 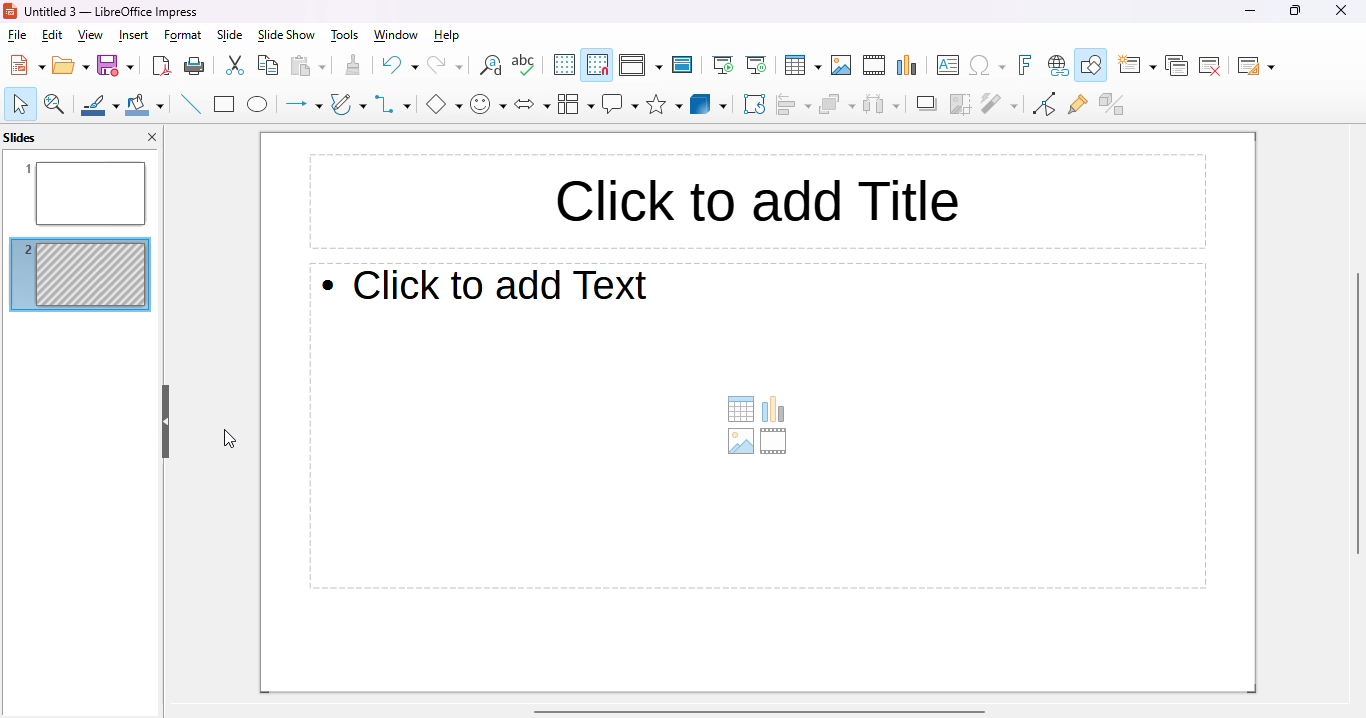 What do you see at coordinates (230, 36) in the screenshot?
I see `slide` at bounding box center [230, 36].